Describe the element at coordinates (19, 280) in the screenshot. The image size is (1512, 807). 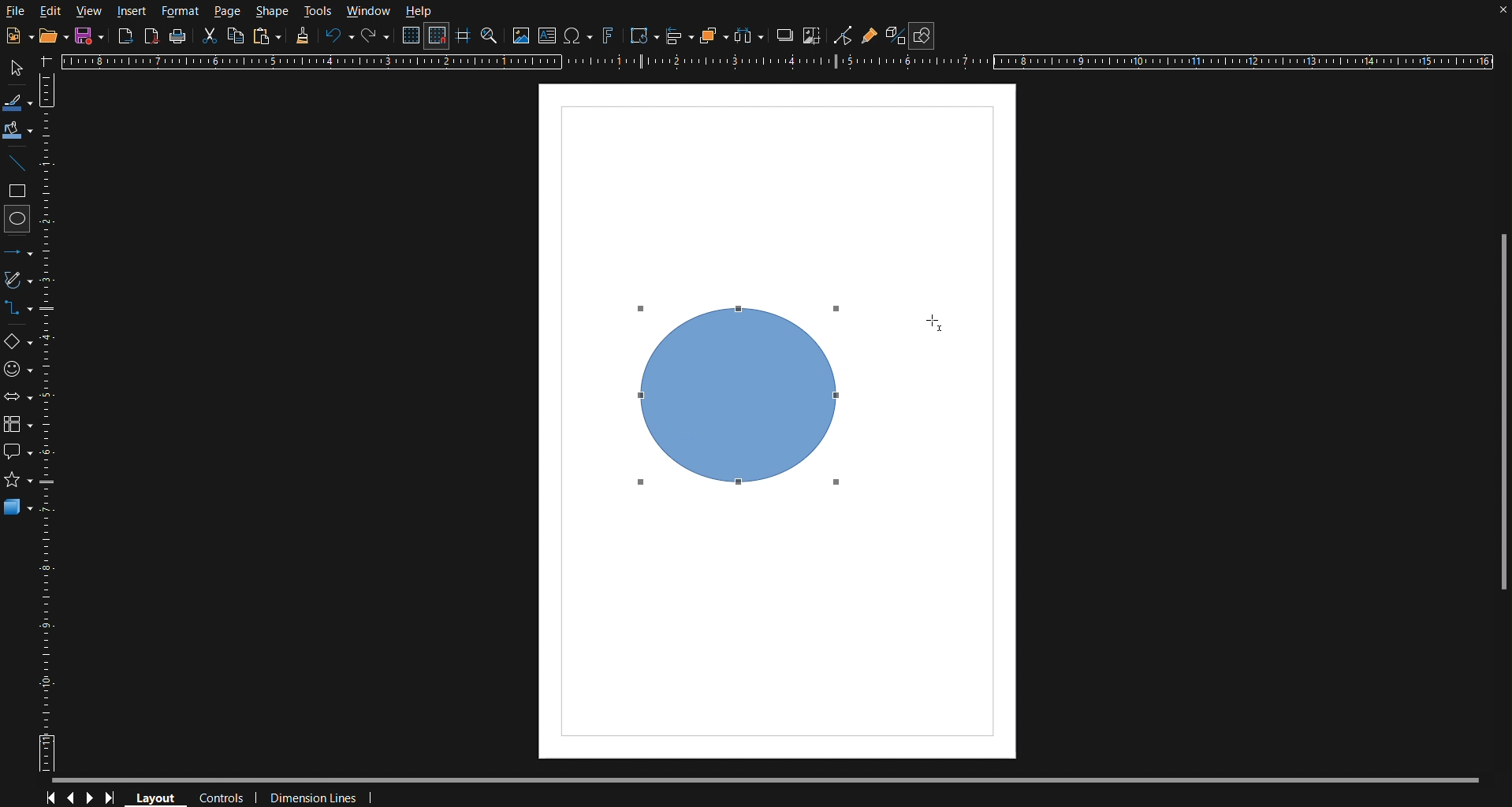
I see `Vectors` at that location.